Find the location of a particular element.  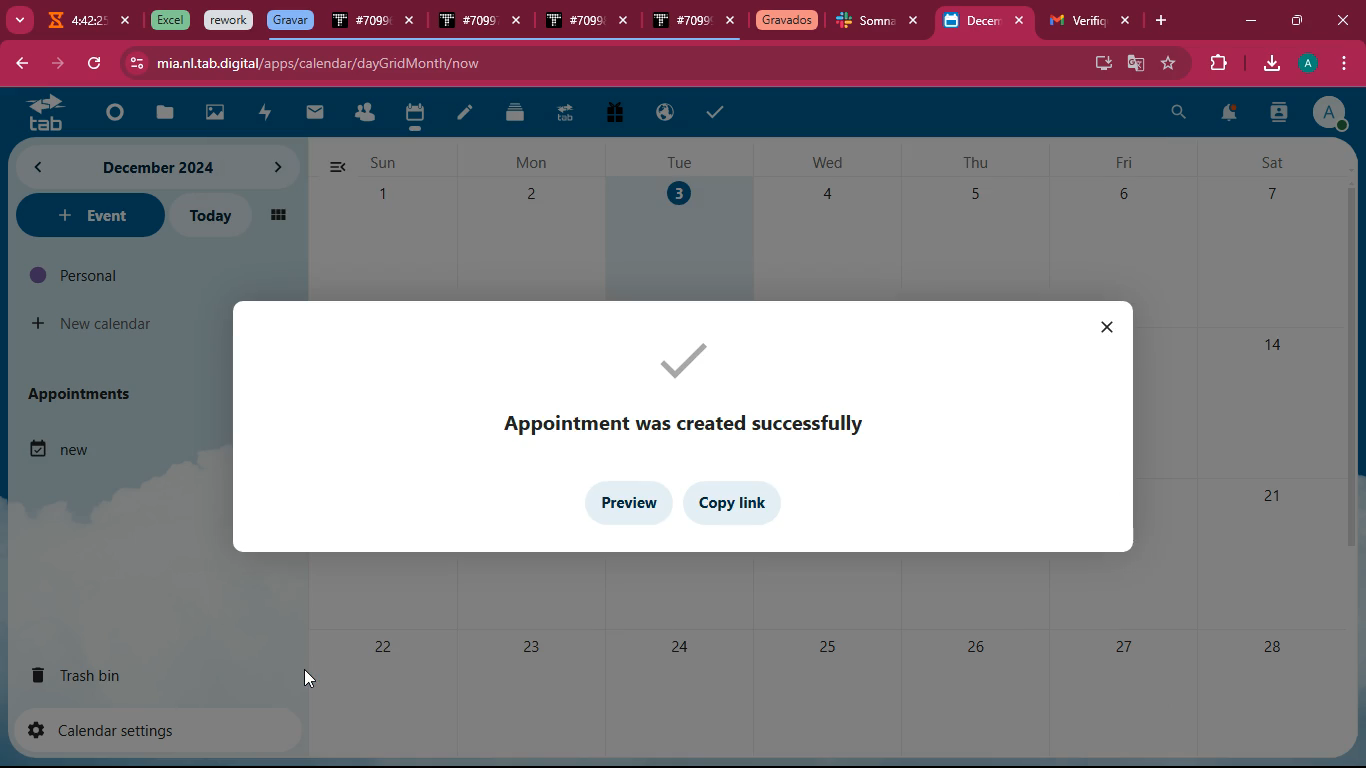

gift is located at coordinates (613, 114).